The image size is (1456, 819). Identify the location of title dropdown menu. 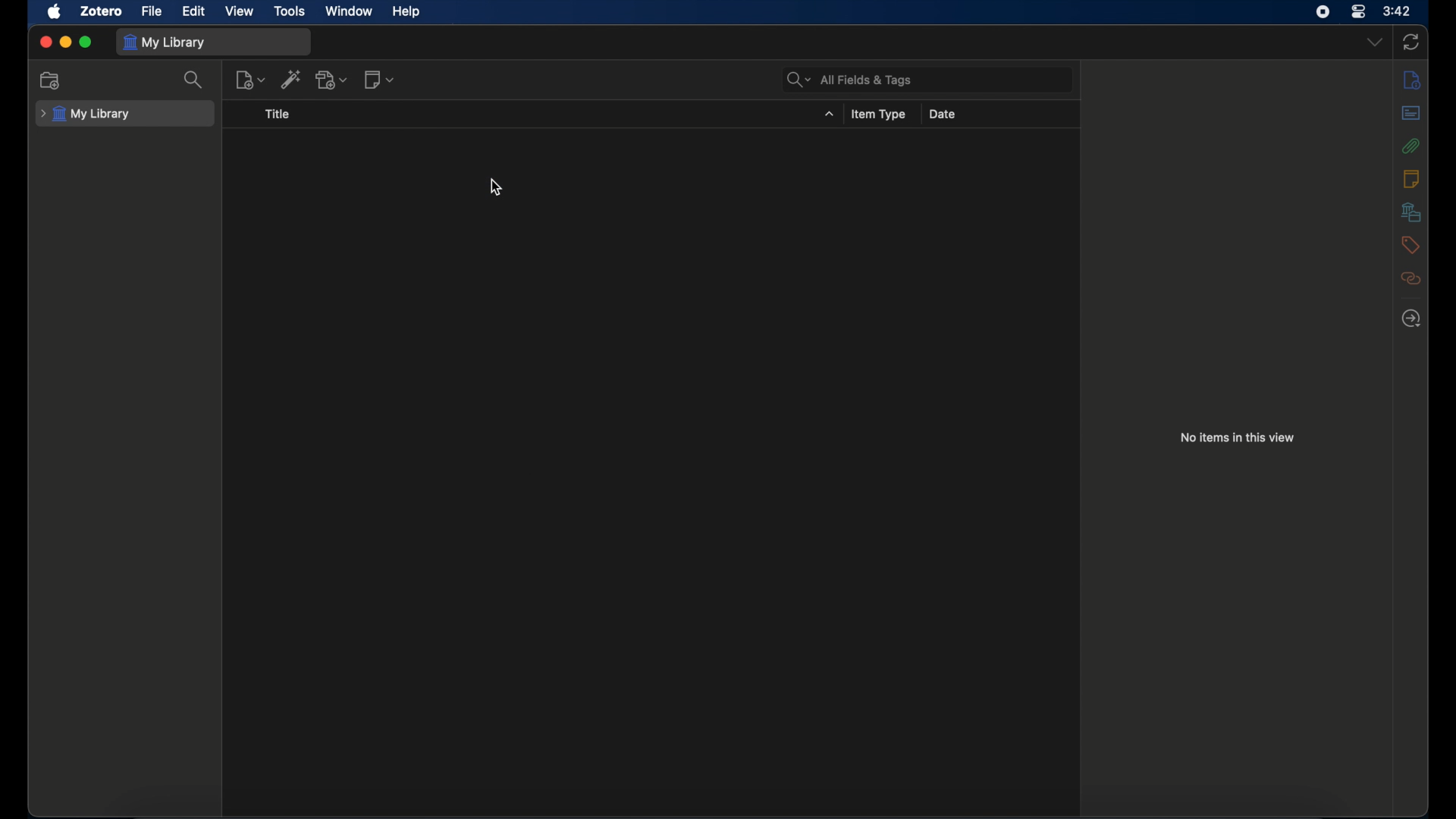
(829, 114).